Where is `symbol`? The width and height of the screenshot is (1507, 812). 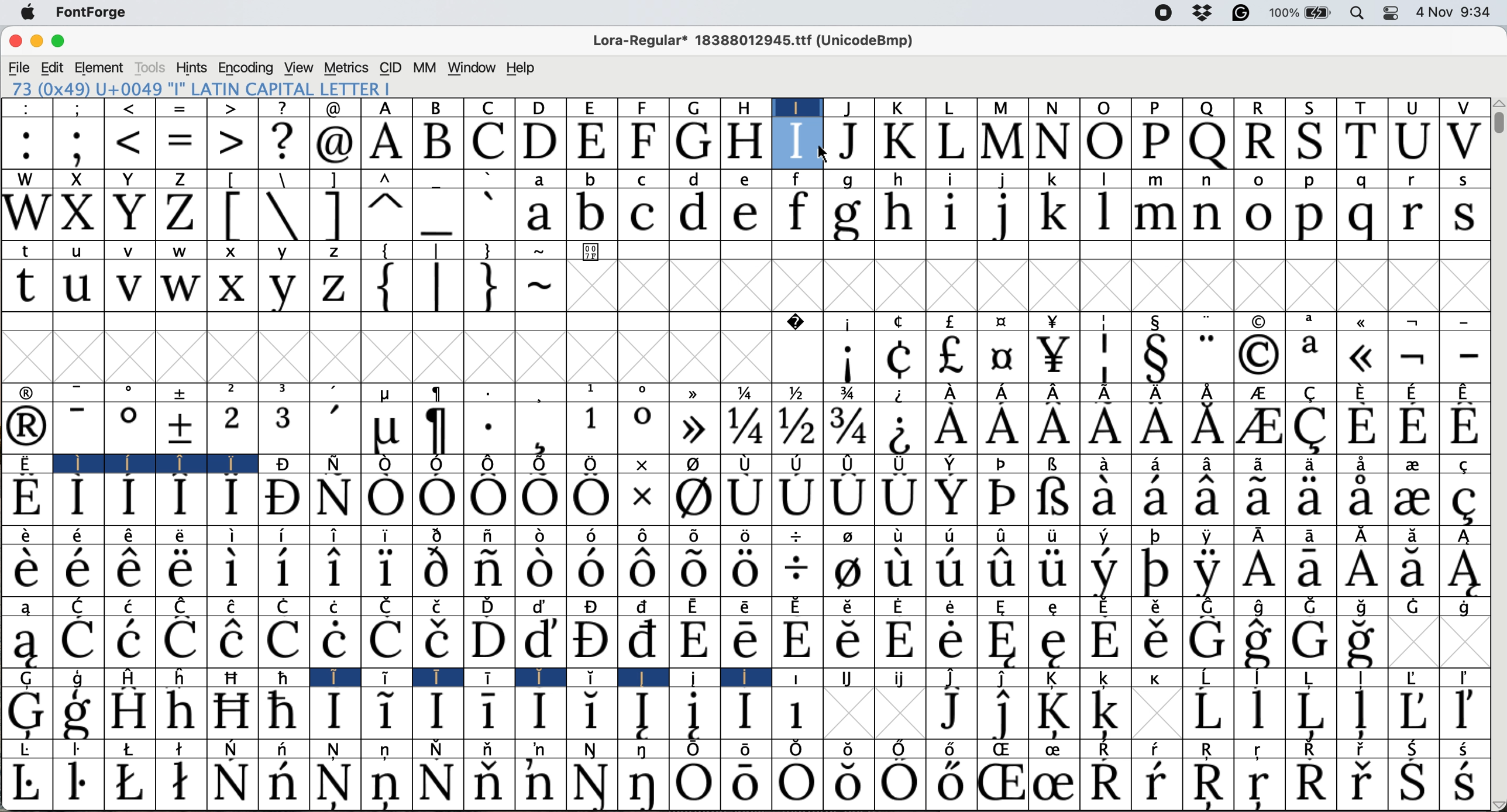
symbol is located at coordinates (488, 464).